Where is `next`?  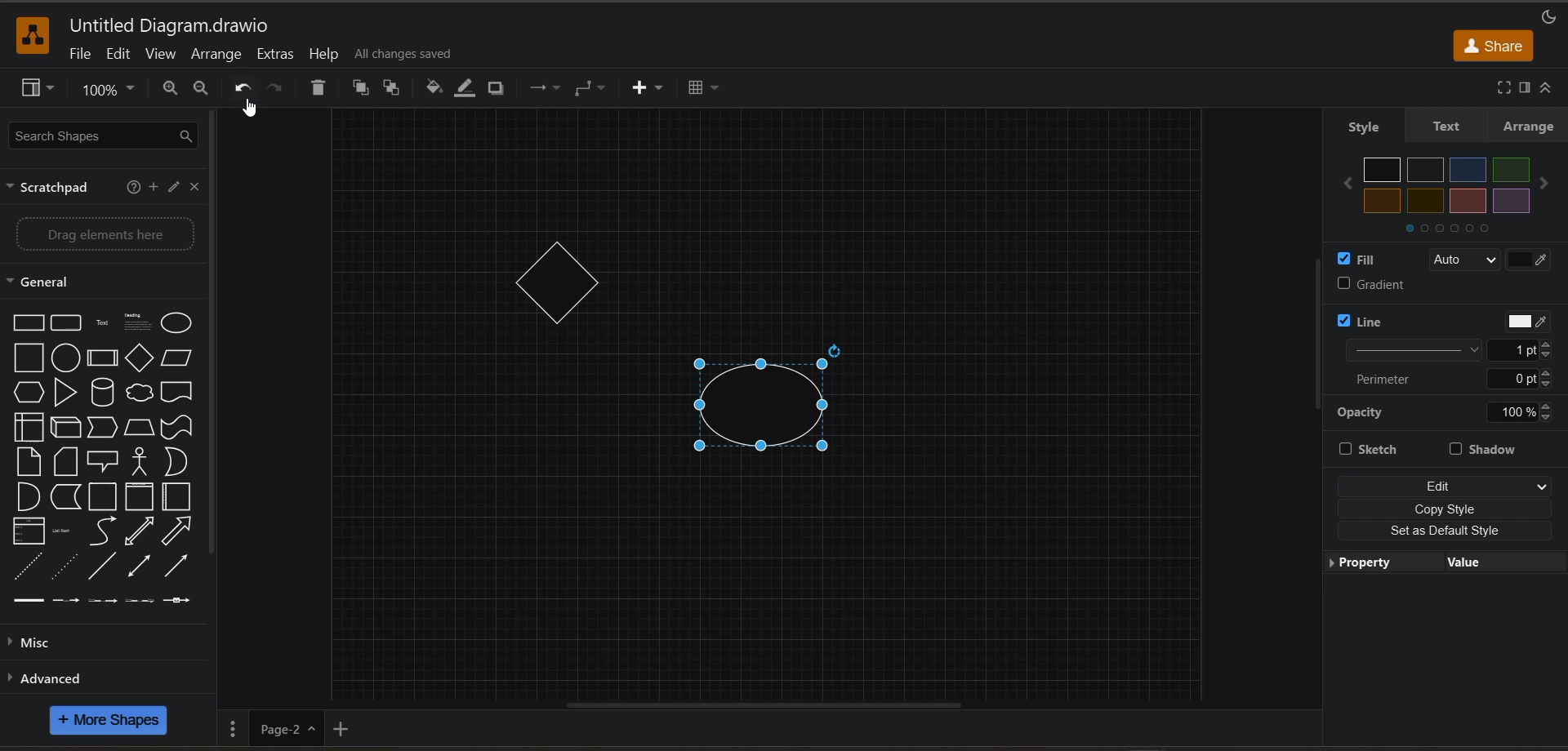 next is located at coordinates (1547, 183).